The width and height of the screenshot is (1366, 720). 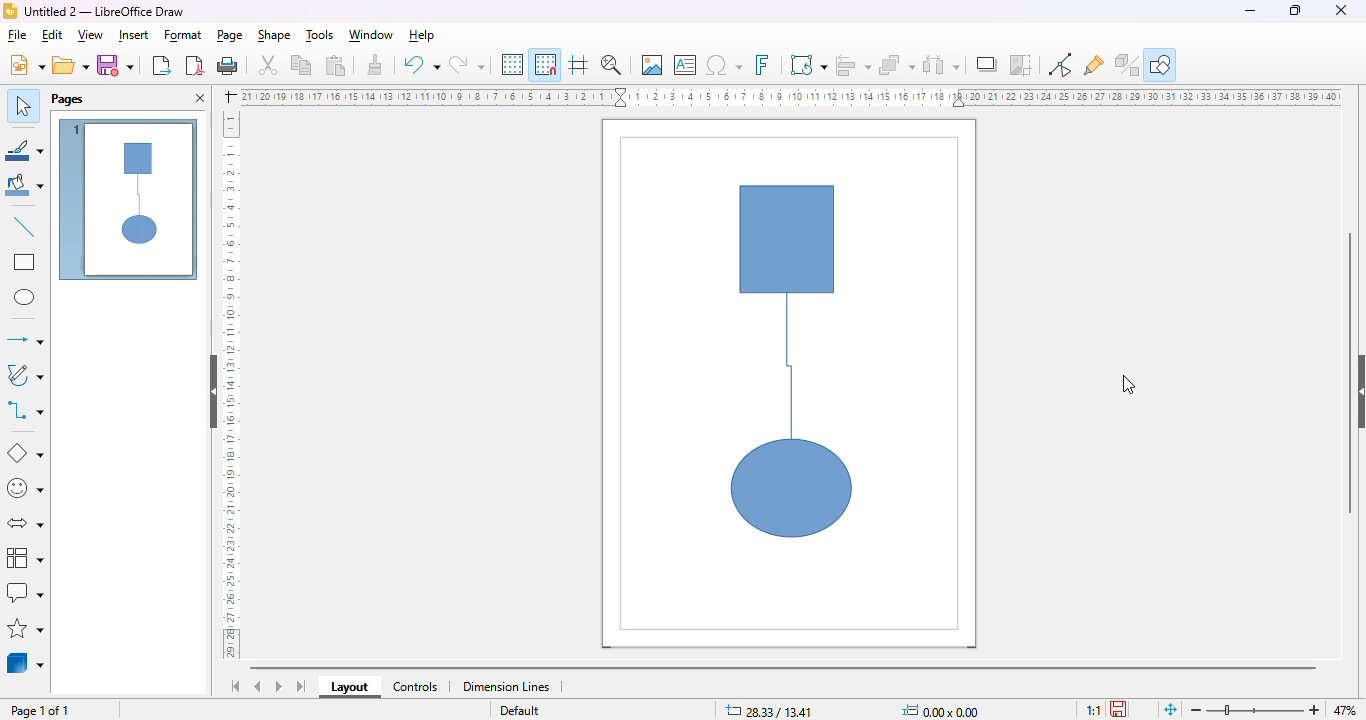 I want to click on dimension lines, so click(x=506, y=686).